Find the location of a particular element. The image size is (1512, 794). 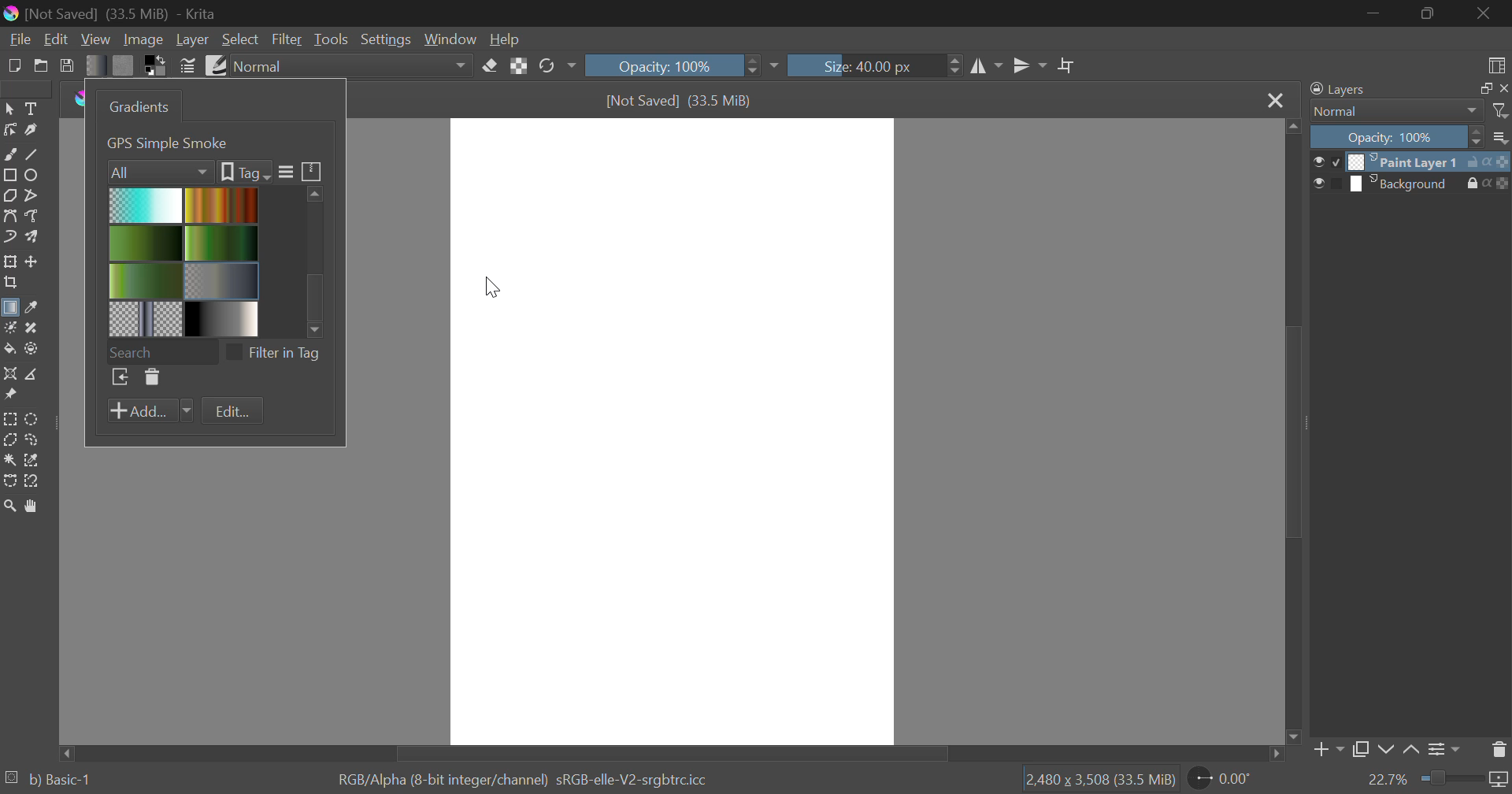

Layer Settings is located at coordinates (1442, 749).